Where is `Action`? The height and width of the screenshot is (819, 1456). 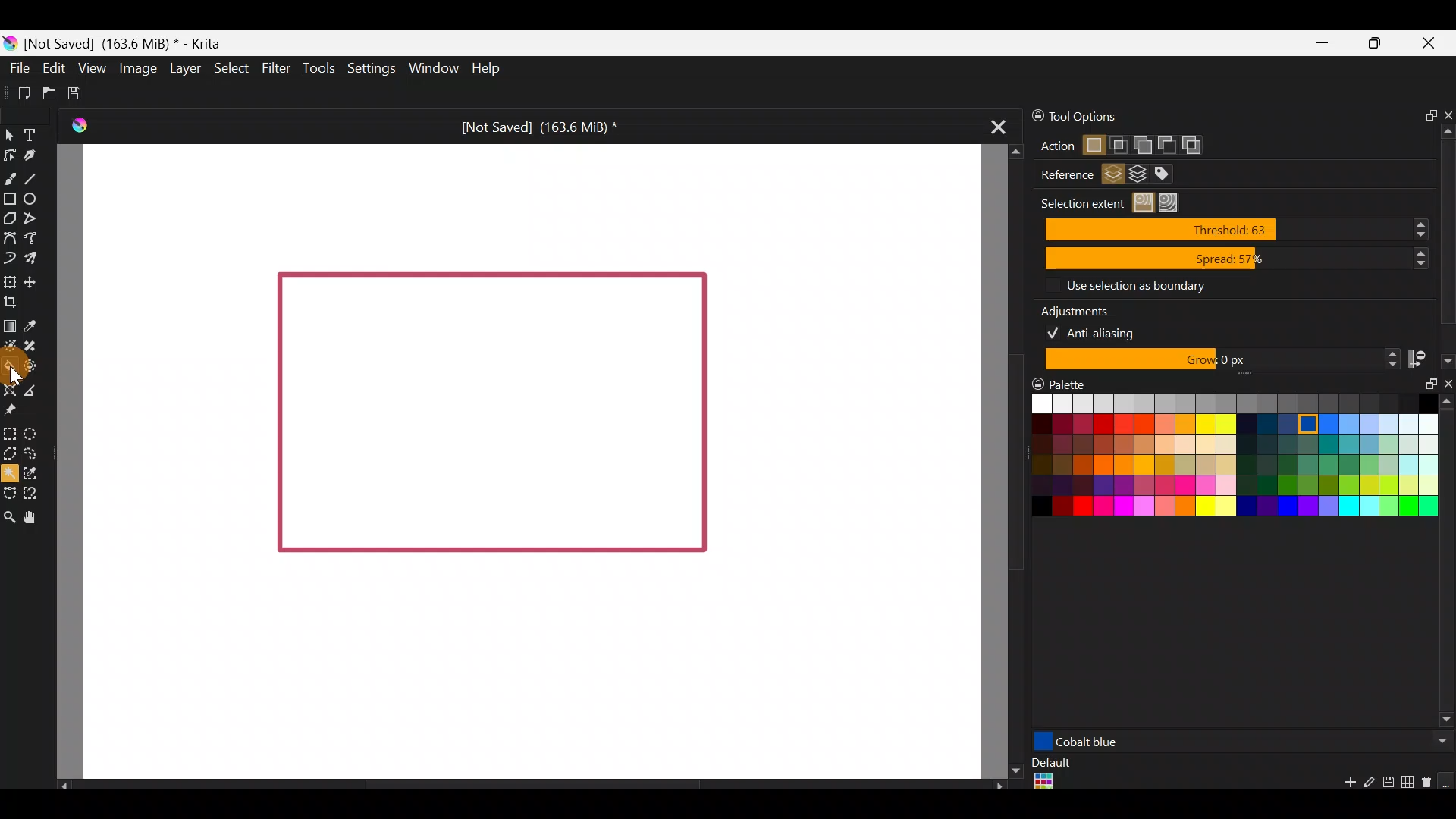 Action is located at coordinates (1050, 146).